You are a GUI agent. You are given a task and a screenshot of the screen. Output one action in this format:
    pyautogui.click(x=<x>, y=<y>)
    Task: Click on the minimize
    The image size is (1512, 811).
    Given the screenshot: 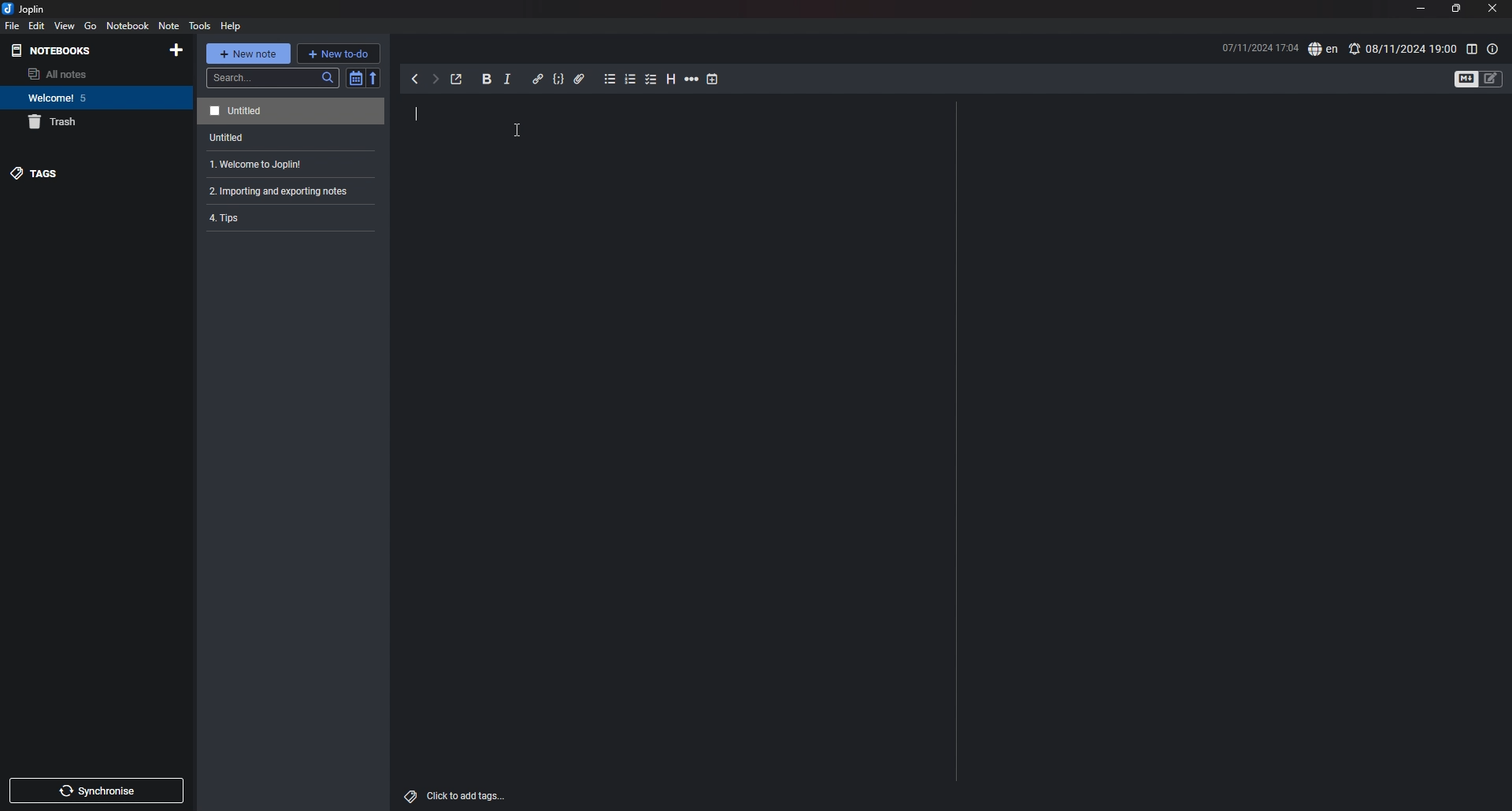 What is the action you would take?
    pyautogui.click(x=1419, y=8)
    